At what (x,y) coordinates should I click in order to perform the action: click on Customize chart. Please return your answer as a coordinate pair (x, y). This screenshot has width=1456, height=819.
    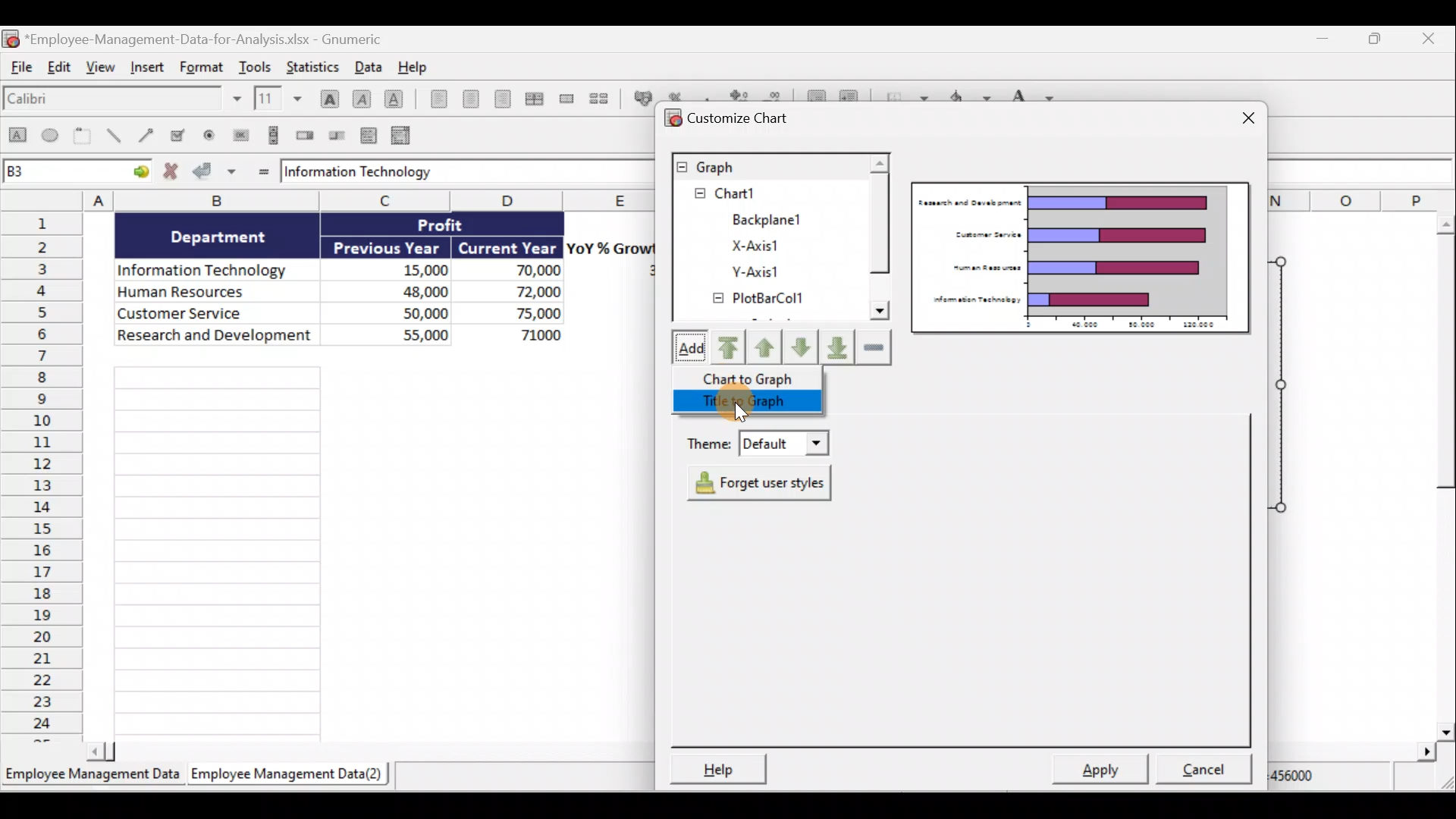
    Looking at the image, I should click on (732, 119).